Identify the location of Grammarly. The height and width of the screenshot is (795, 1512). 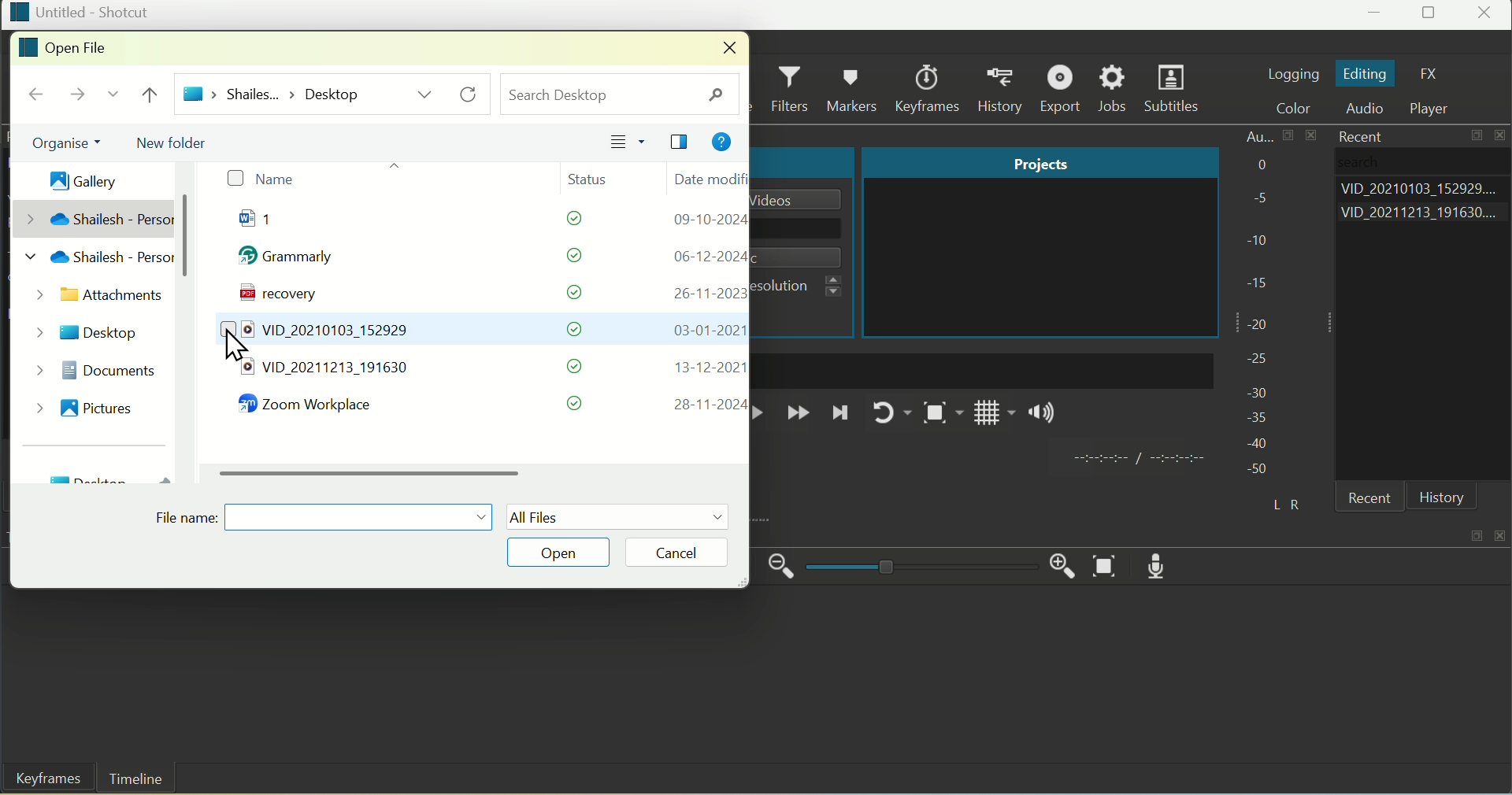
(294, 260).